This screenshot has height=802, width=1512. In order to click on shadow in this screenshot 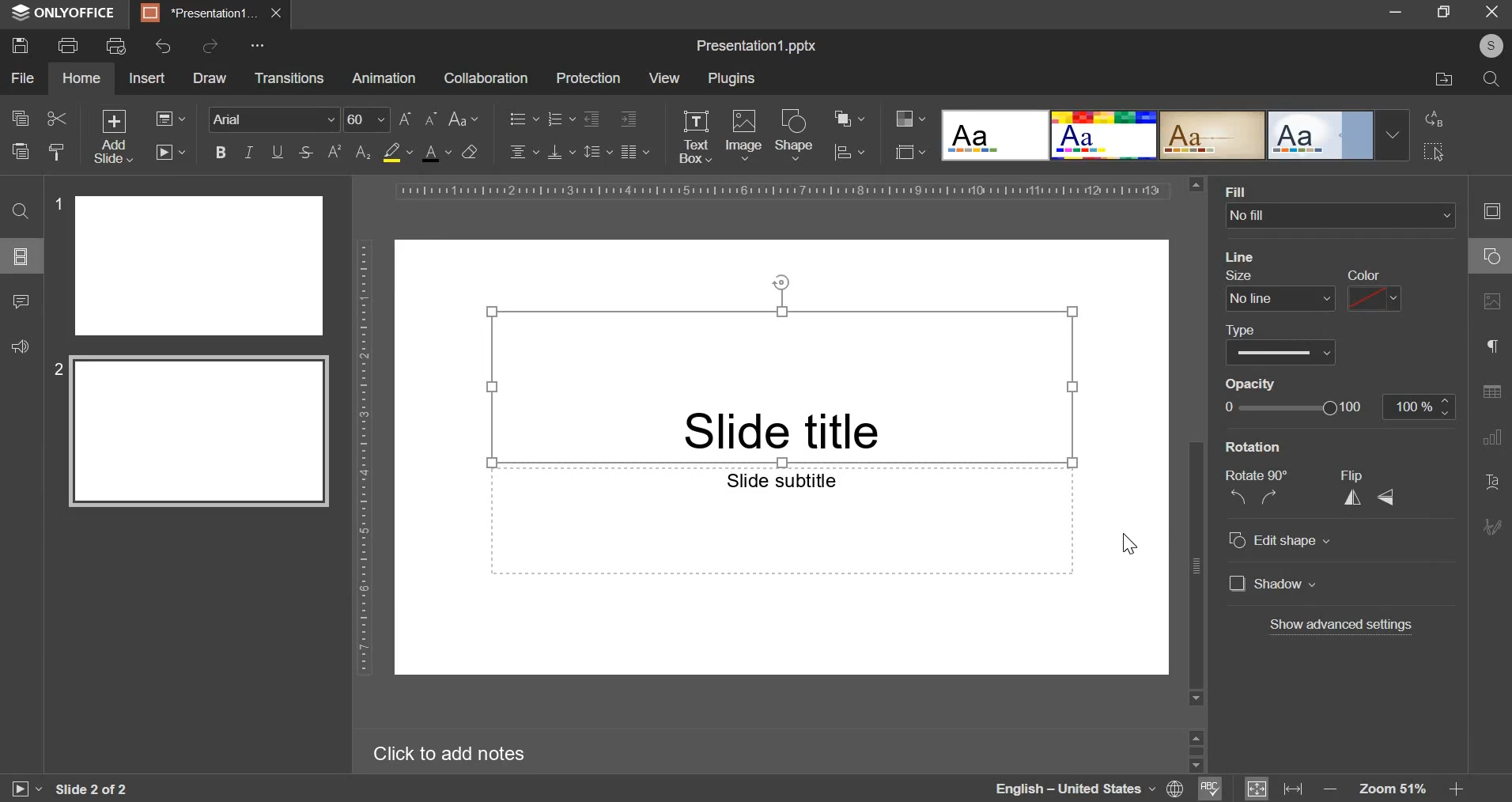, I will do `click(1340, 584)`.